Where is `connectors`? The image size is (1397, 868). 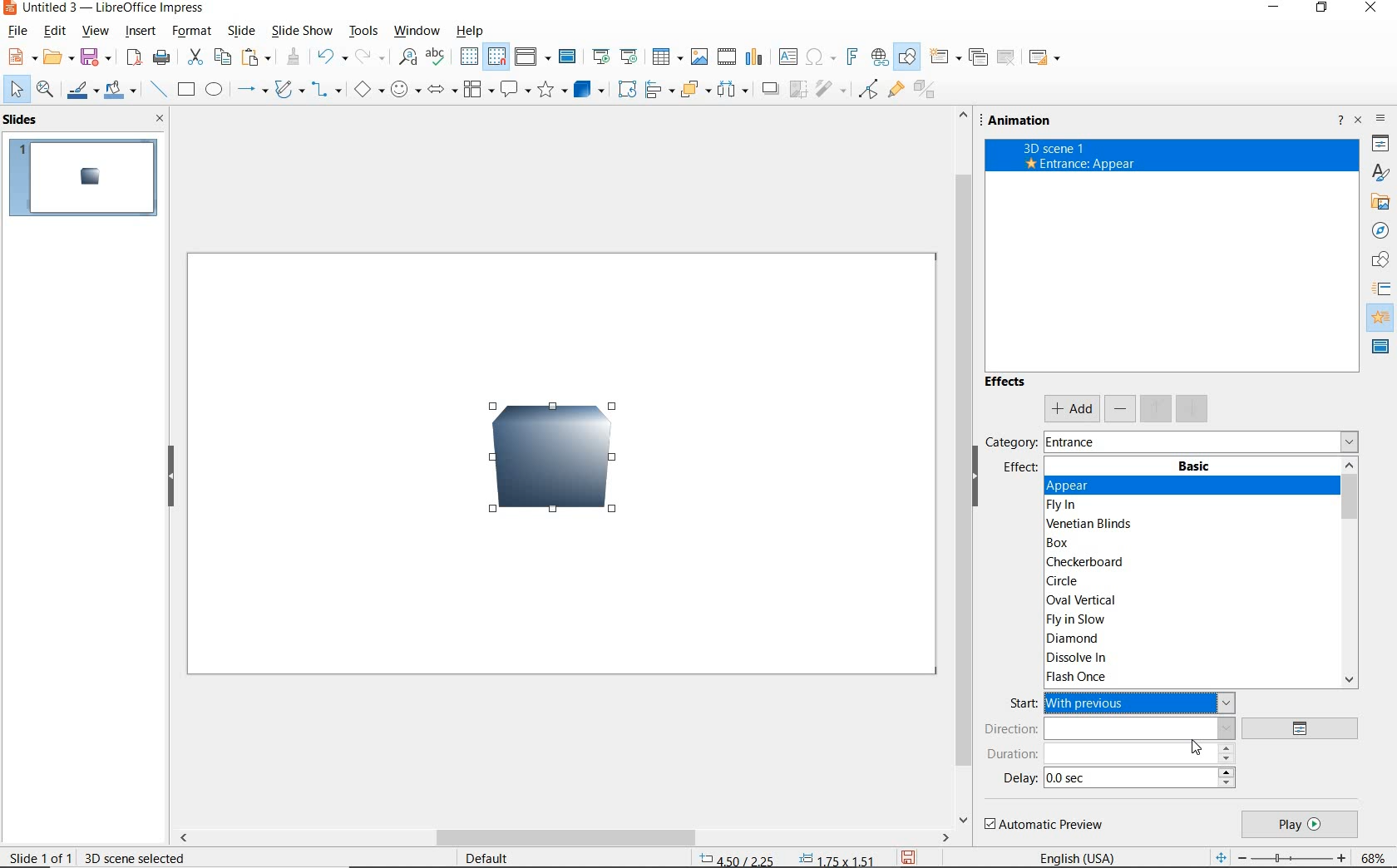 connectors is located at coordinates (326, 91).